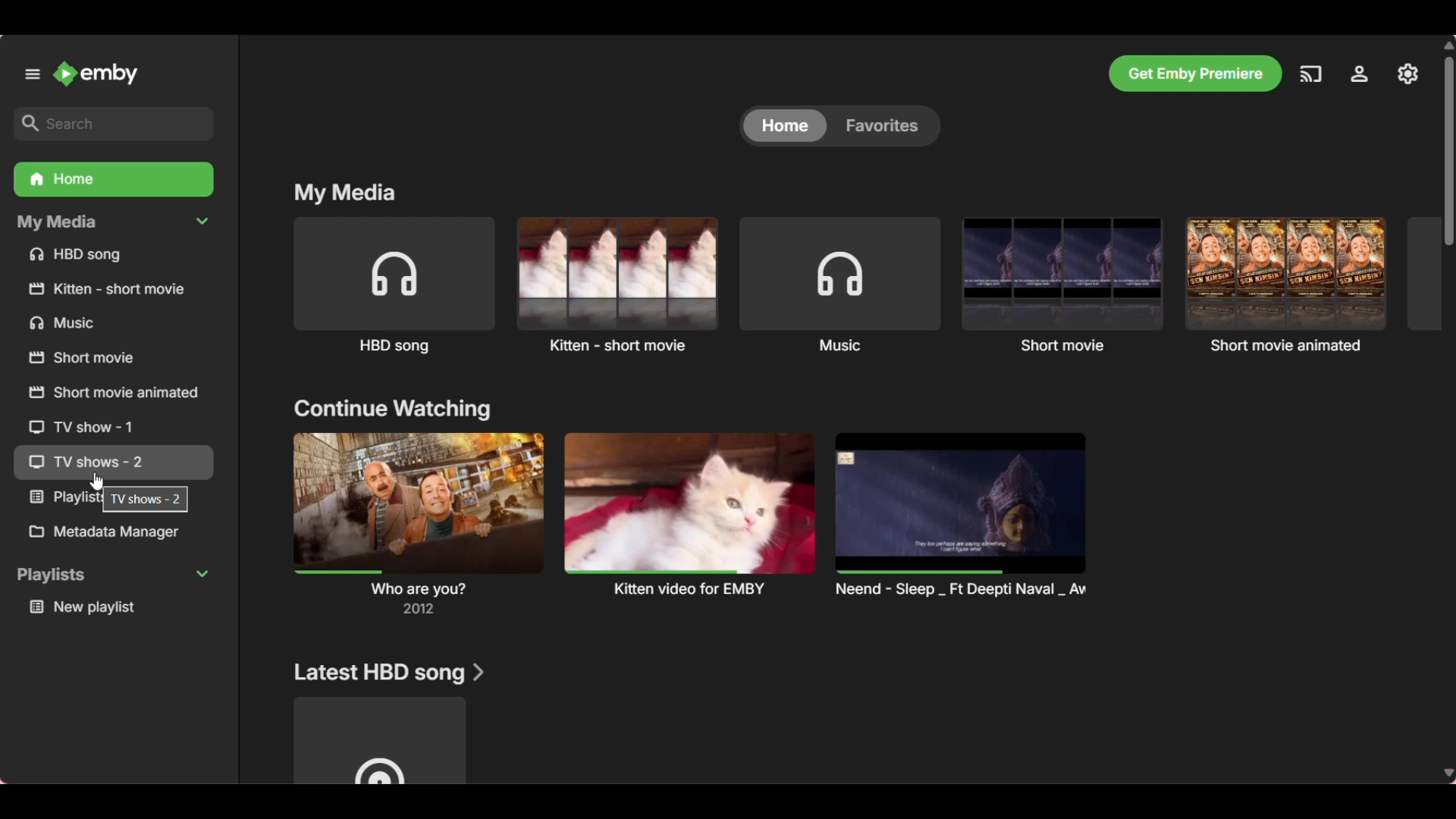 The height and width of the screenshot is (819, 1456). What do you see at coordinates (839, 126) in the screenshot?
I see `Toggle between Home and Favorites` at bounding box center [839, 126].